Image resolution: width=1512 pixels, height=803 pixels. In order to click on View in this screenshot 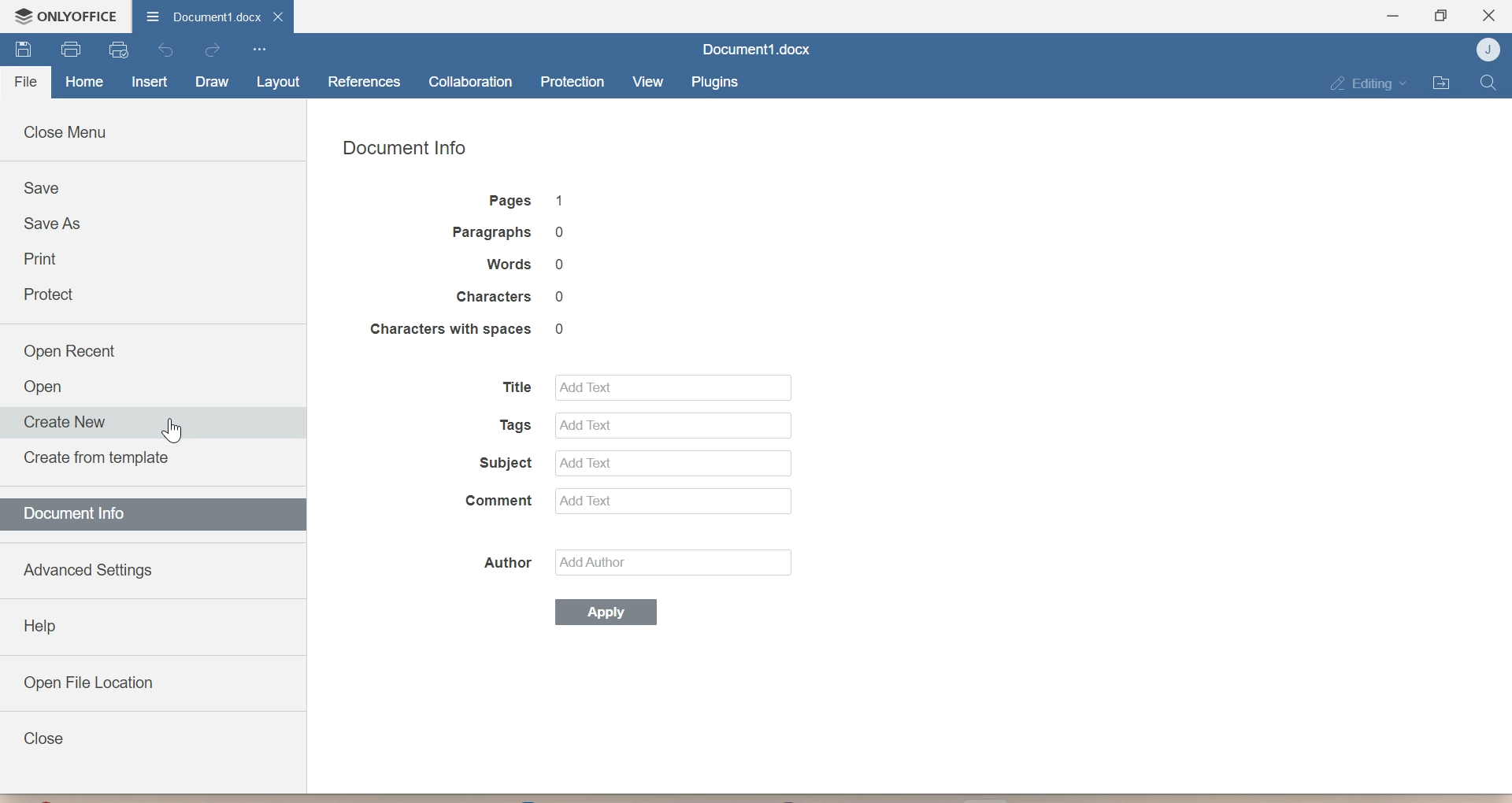, I will do `click(646, 80)`.